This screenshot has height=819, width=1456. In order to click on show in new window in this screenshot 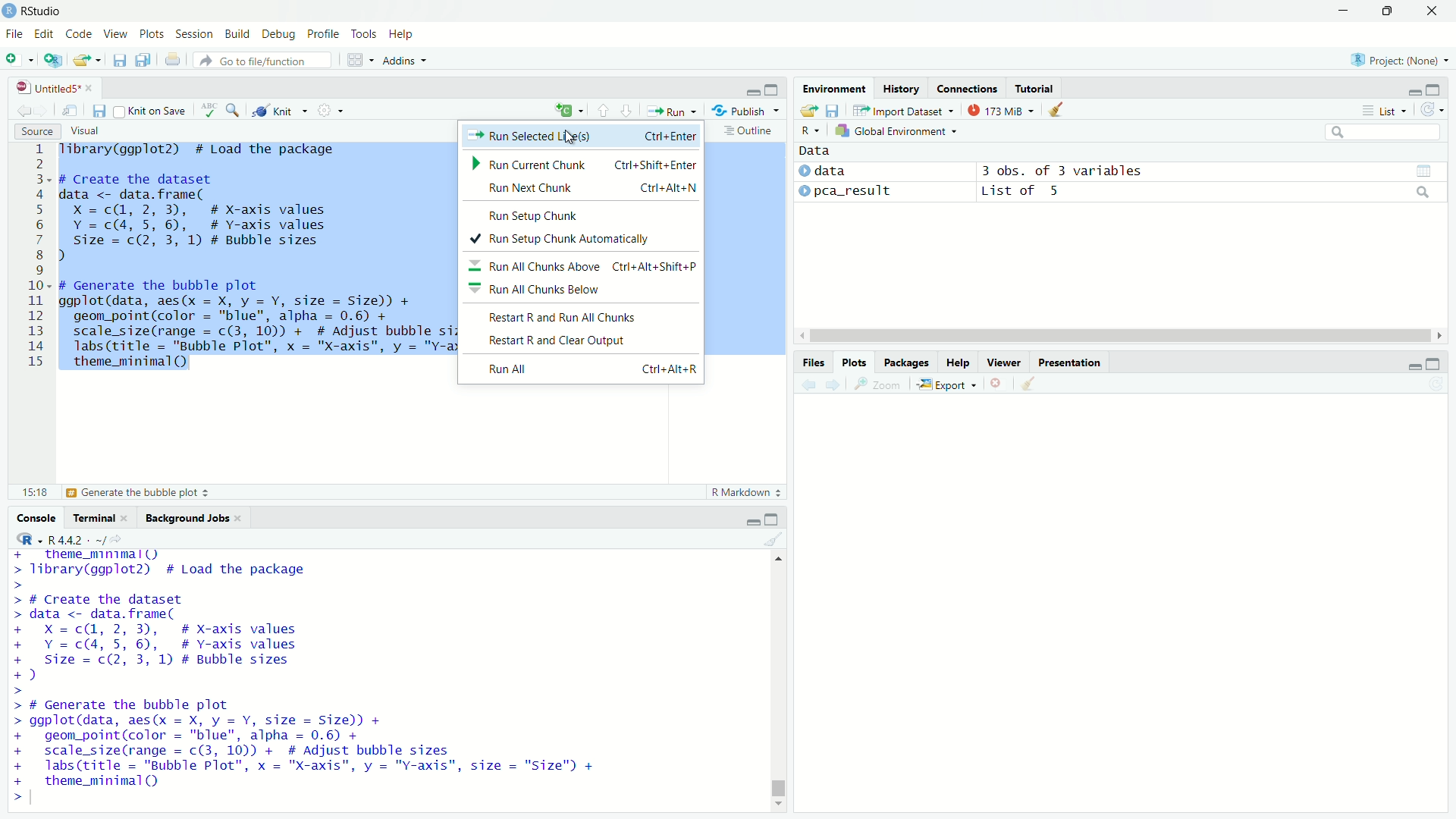, I will do `click(71, 111)`.